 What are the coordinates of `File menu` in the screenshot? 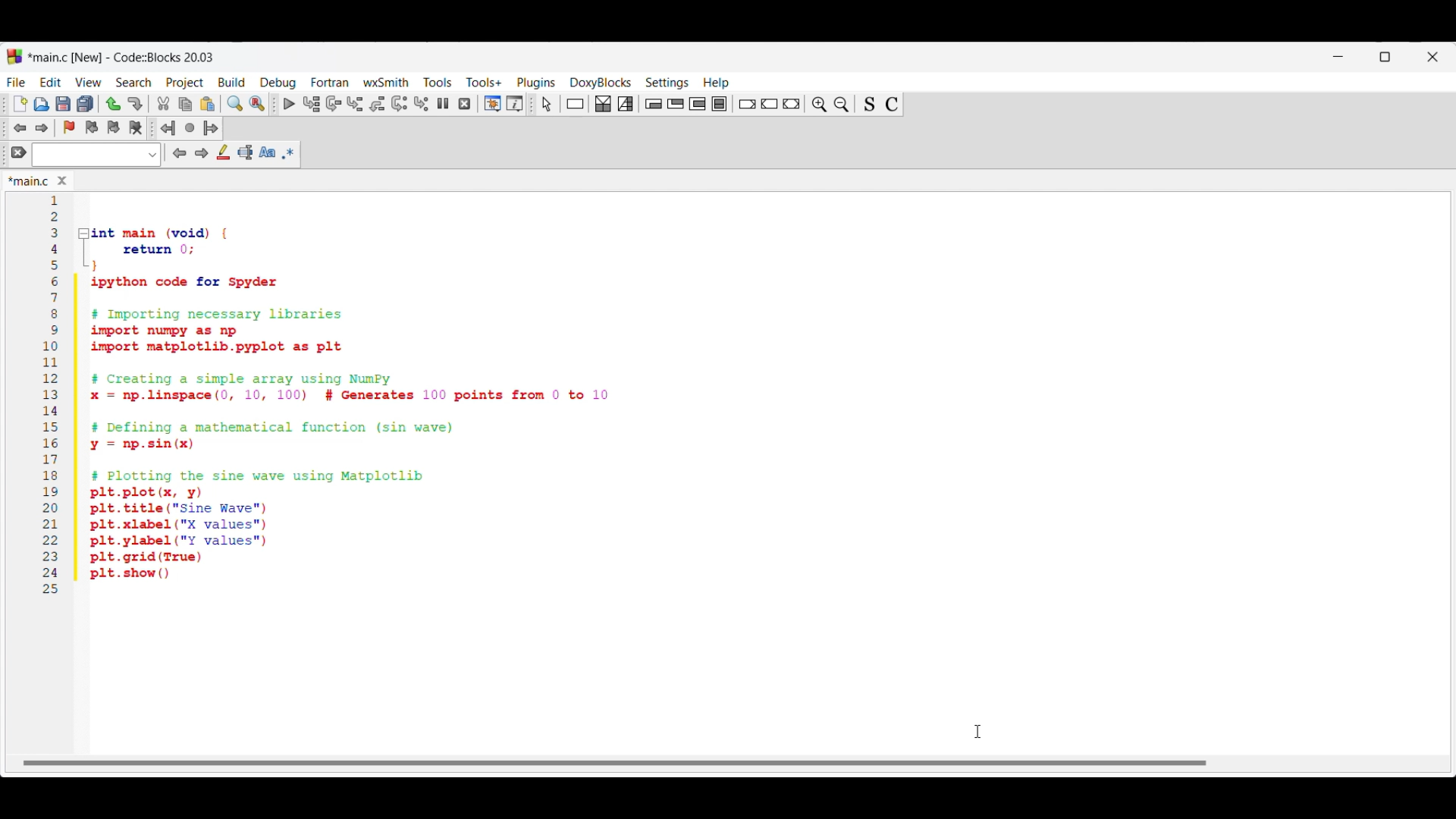 It's located at (16, 82).